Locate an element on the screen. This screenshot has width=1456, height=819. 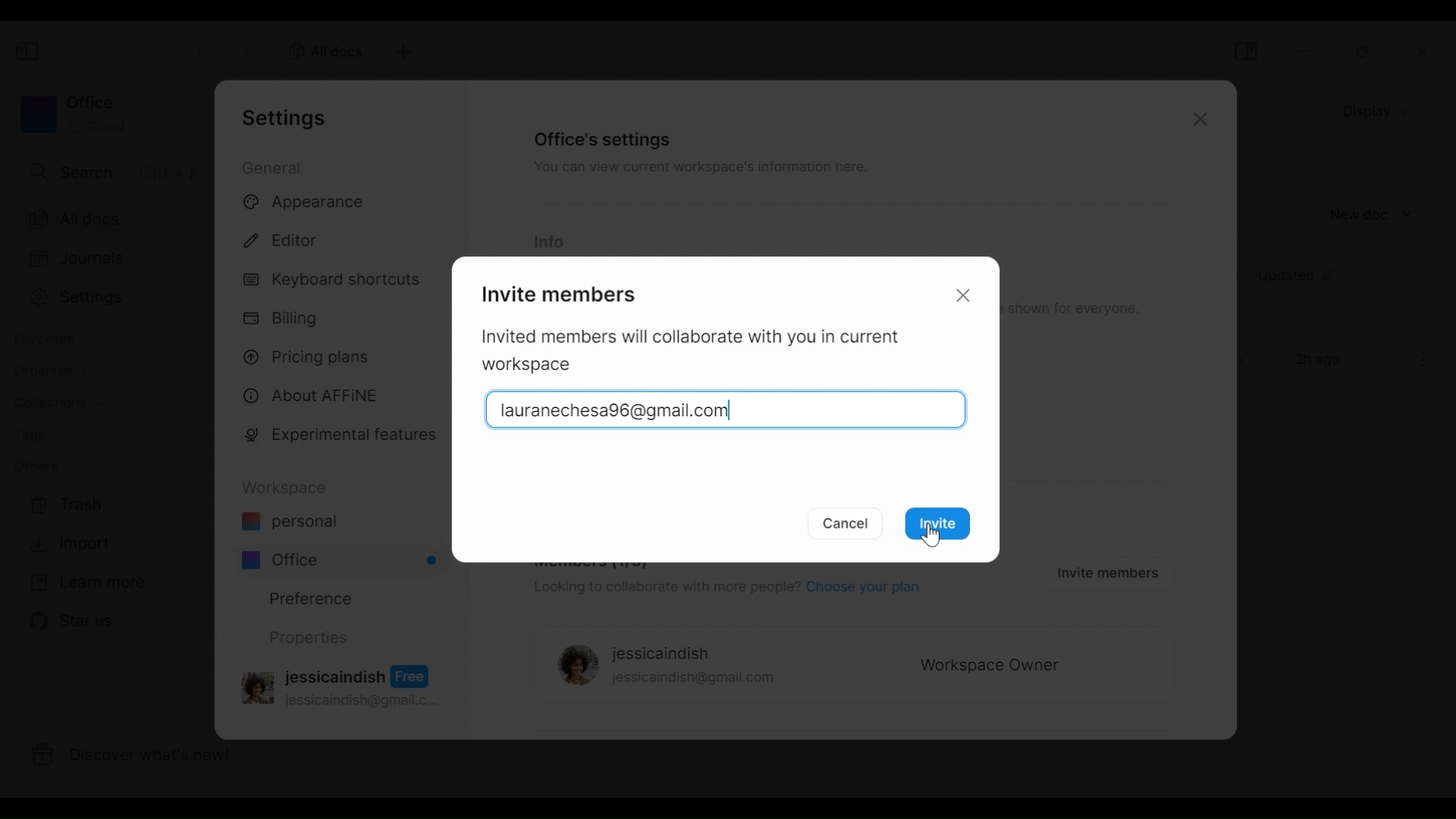
2h ago is located at coordinates (1321, 361).